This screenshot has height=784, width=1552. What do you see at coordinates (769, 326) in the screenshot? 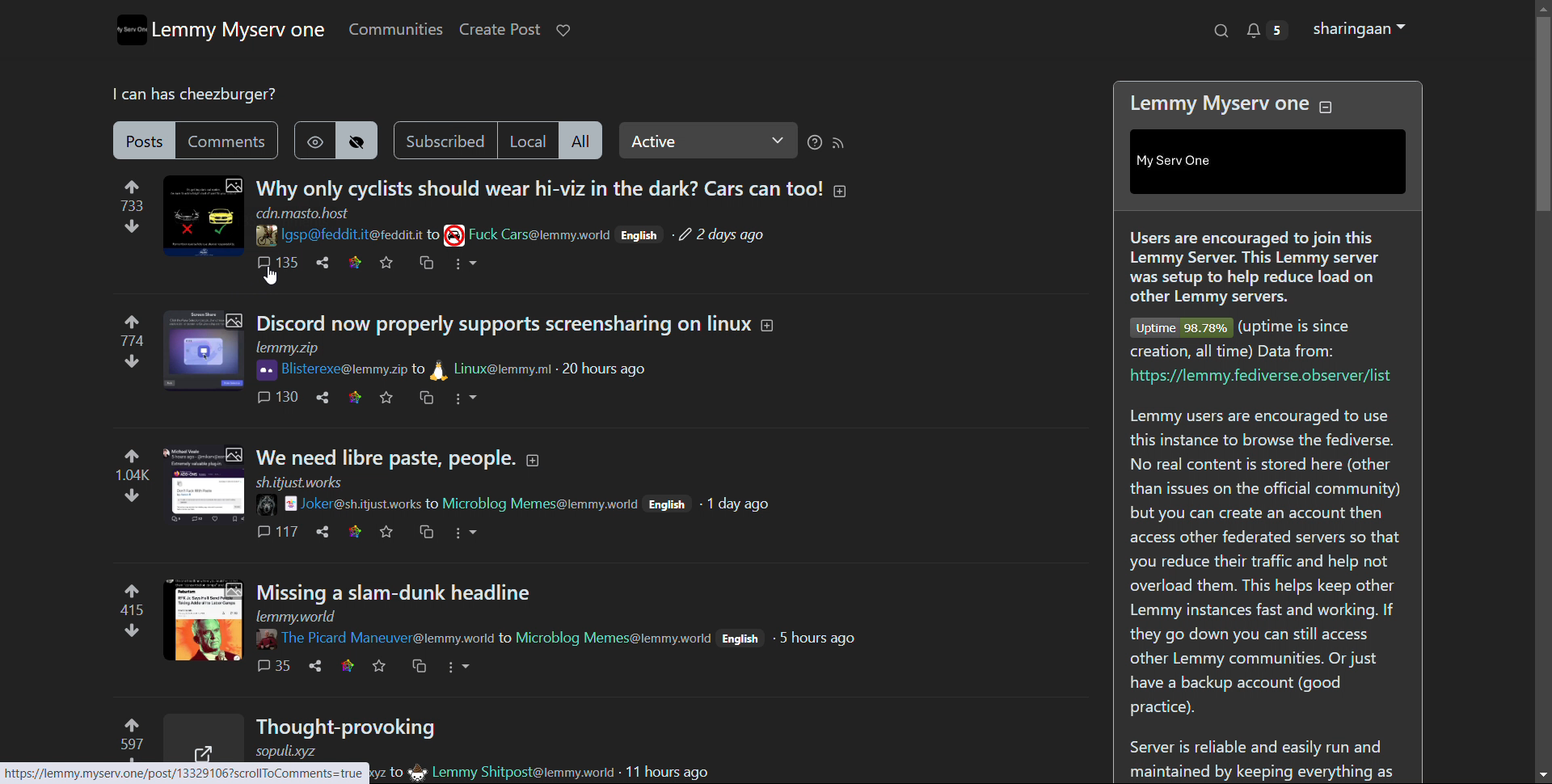
I see `expand` at bounding box center [769, 326].